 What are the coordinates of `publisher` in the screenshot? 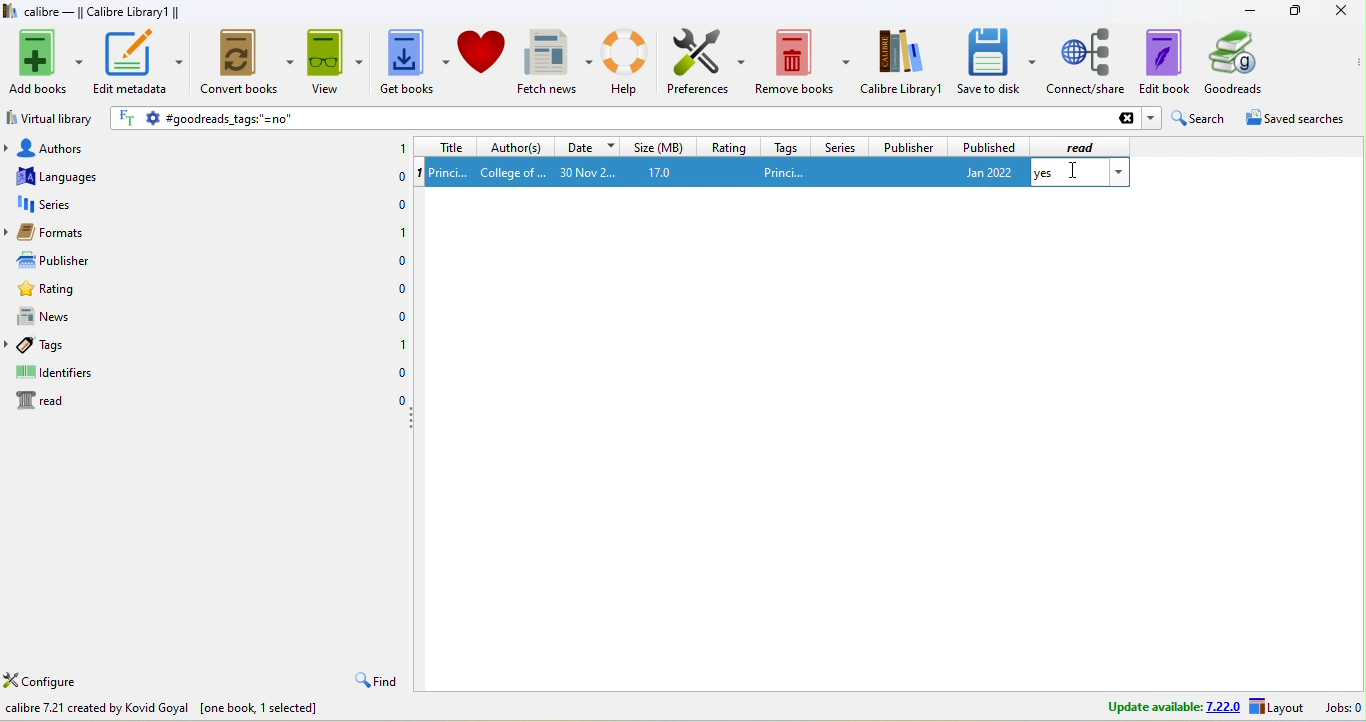 It's located at (906, 145).